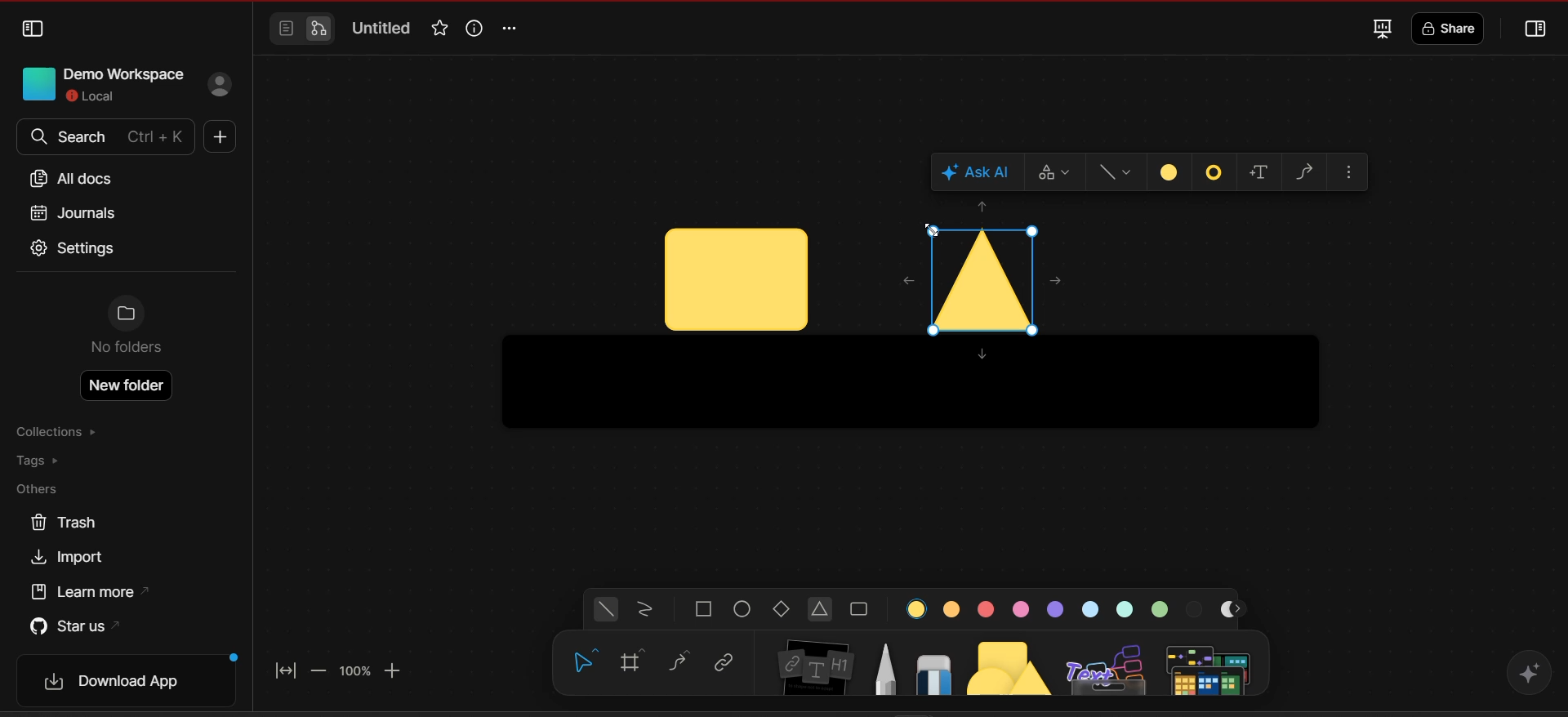 The width and height of the screenshot is (1568, 717). What do you see at coordinates (979, 172) in the screenshot?
I see `ask AI` at bounding box center [979, 172].